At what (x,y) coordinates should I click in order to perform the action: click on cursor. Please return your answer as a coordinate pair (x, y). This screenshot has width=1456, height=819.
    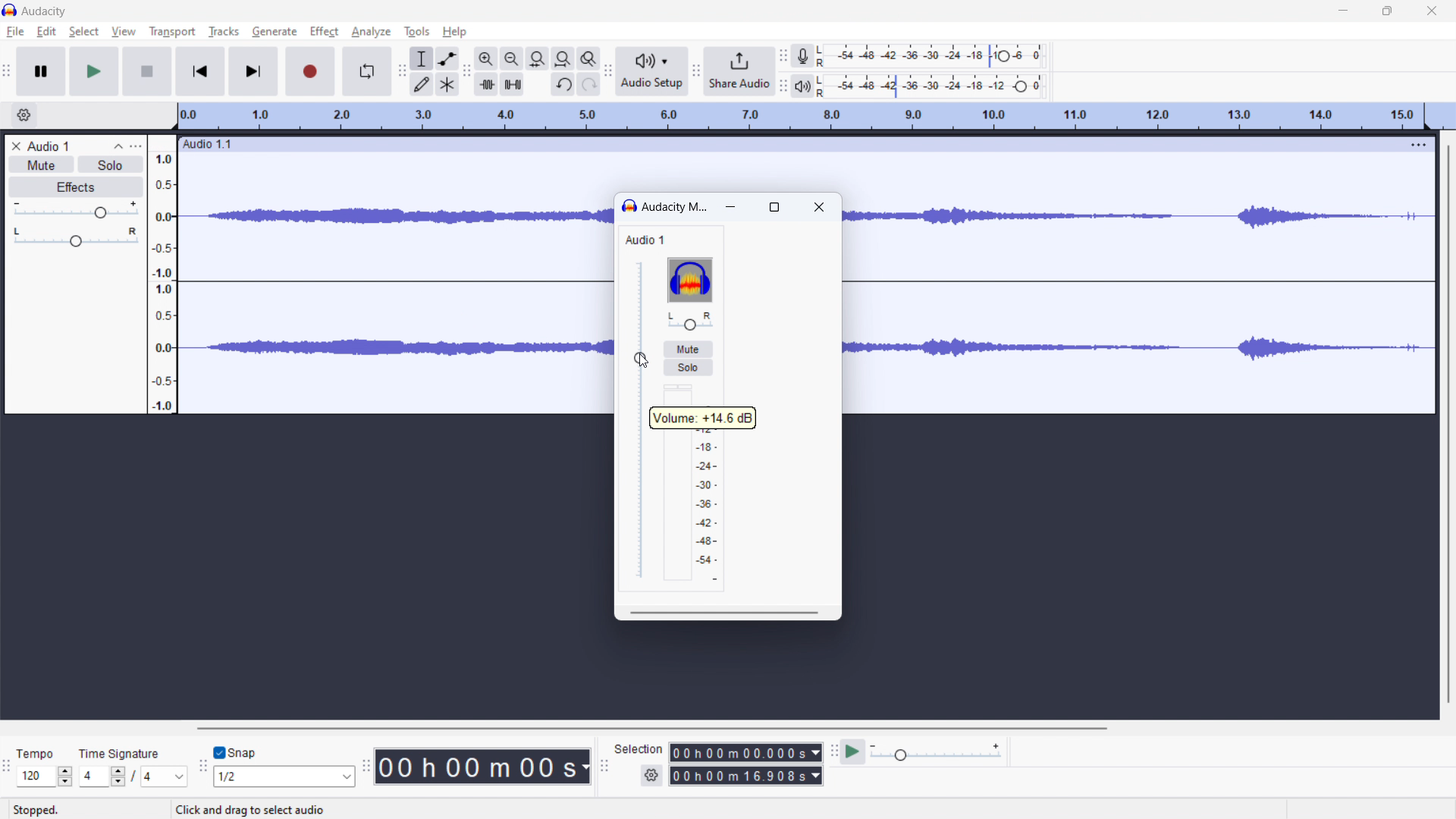
    Looking at the image, I should click on (126, 33).